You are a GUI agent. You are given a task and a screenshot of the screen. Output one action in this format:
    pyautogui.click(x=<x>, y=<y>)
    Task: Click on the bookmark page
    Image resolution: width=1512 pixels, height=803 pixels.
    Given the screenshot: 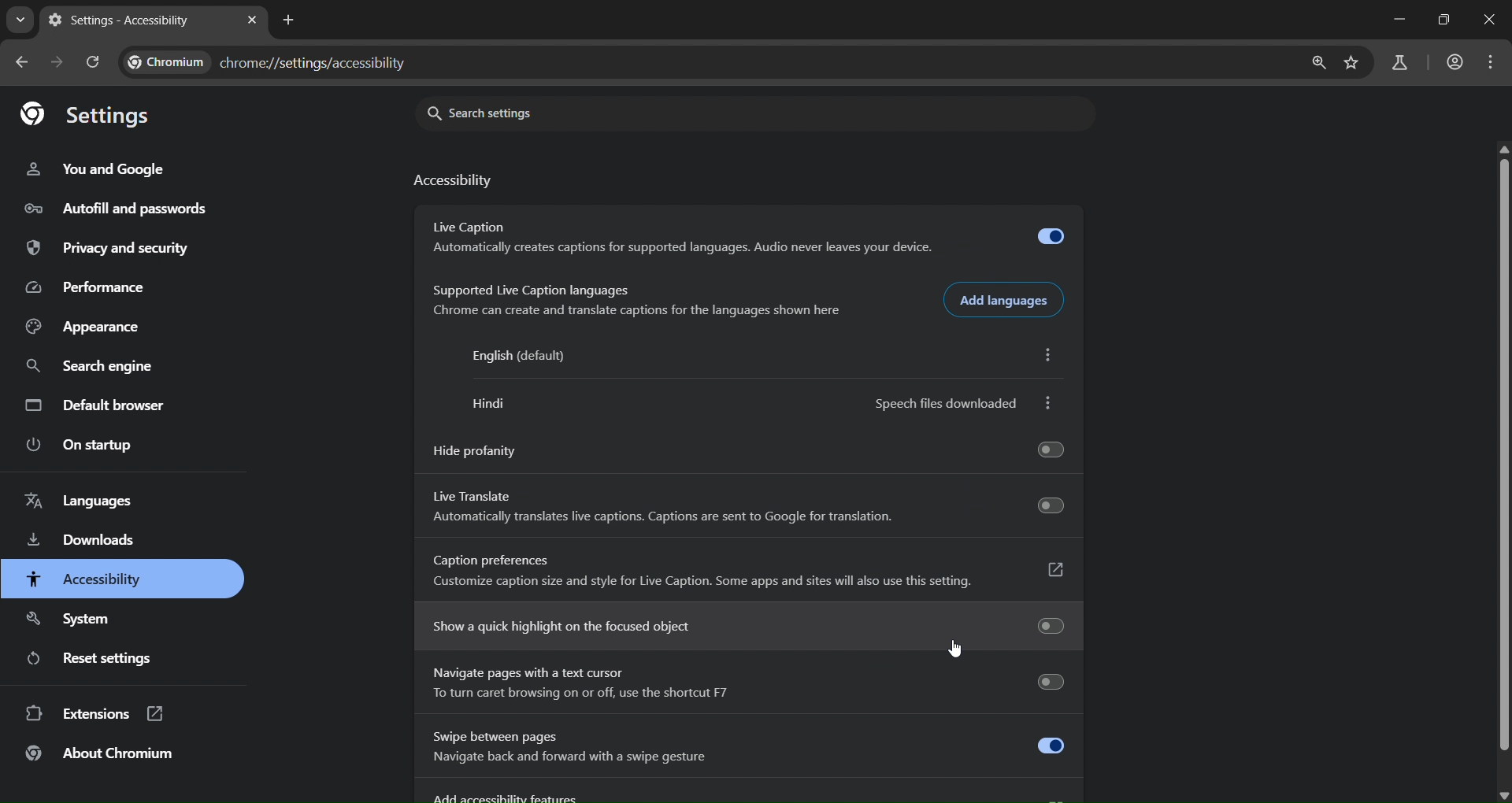 What is the action you would take?
    pyautogui.click(x=1355, y=62)
    